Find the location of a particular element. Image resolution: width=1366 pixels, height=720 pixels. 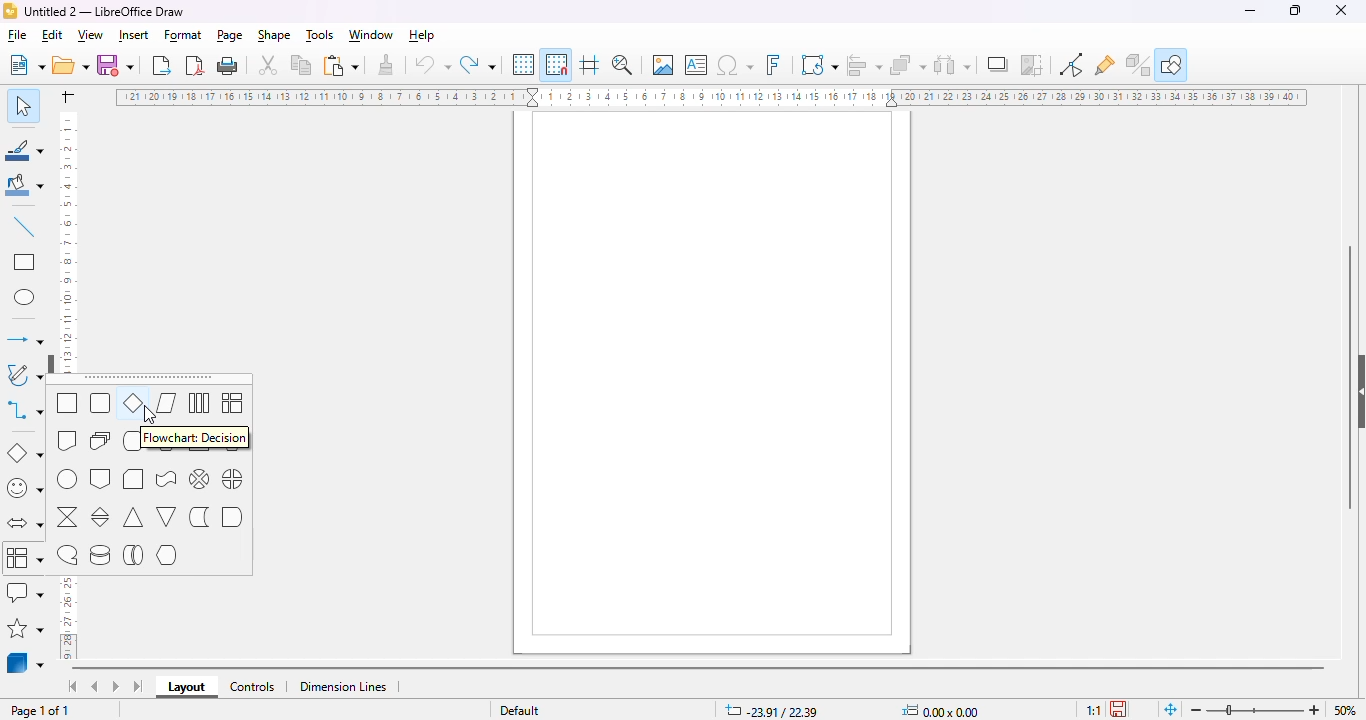

flowchart: or is located at coordinates (234, 479).